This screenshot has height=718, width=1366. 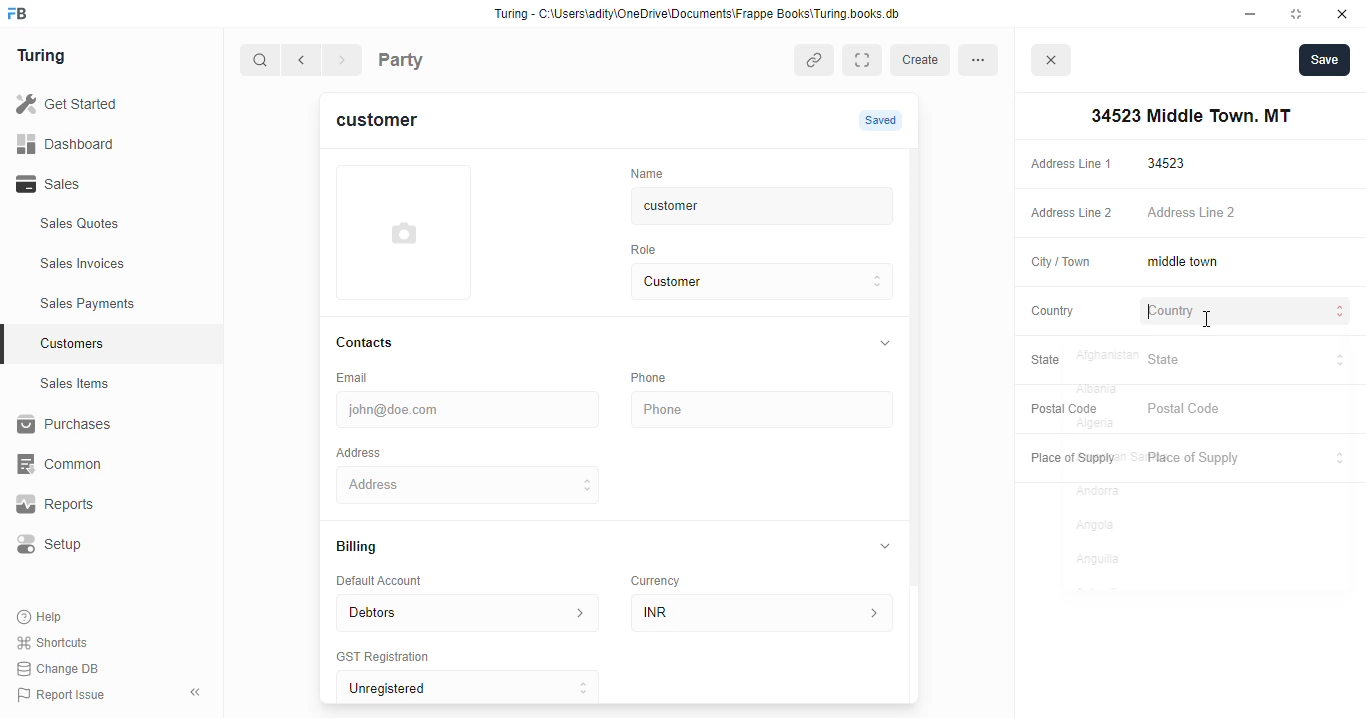 What do you see at coordinates (442, 58) in the screenshot?
I see `Party` at bounding box center [442, 58].